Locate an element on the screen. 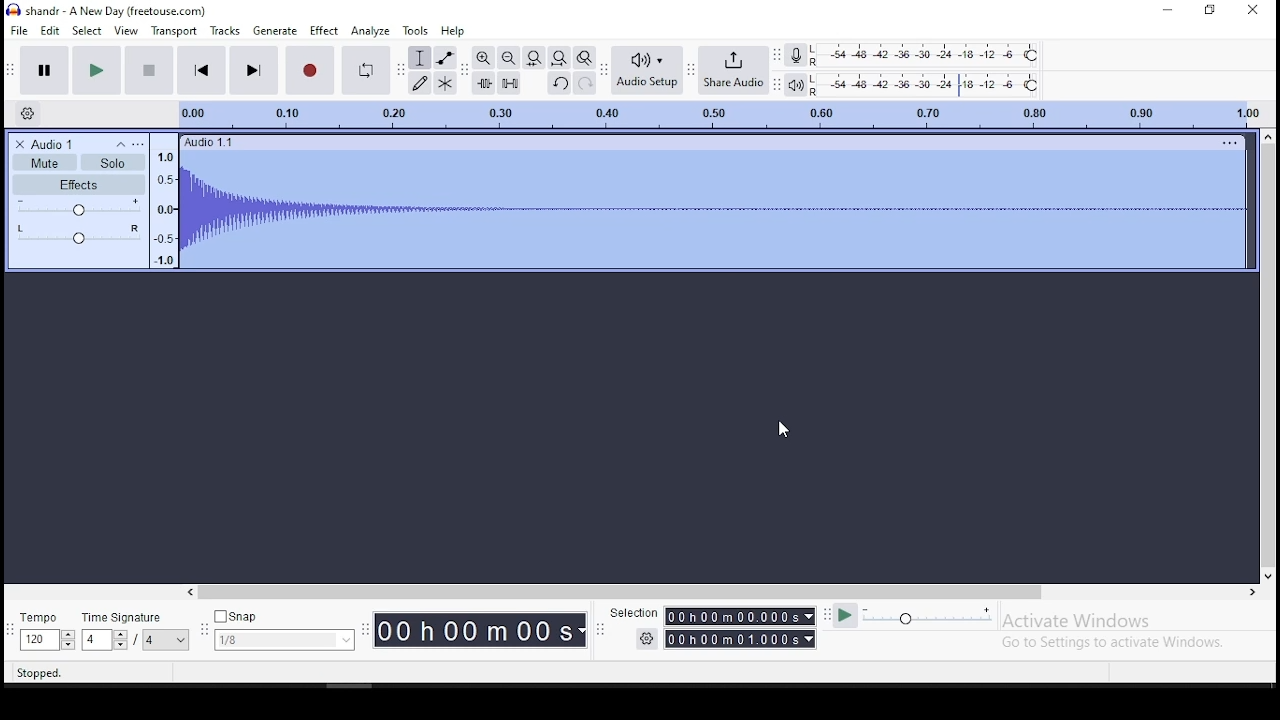 This screenshot has width=1280, height=720. pause is located at coordinates (44, 70).